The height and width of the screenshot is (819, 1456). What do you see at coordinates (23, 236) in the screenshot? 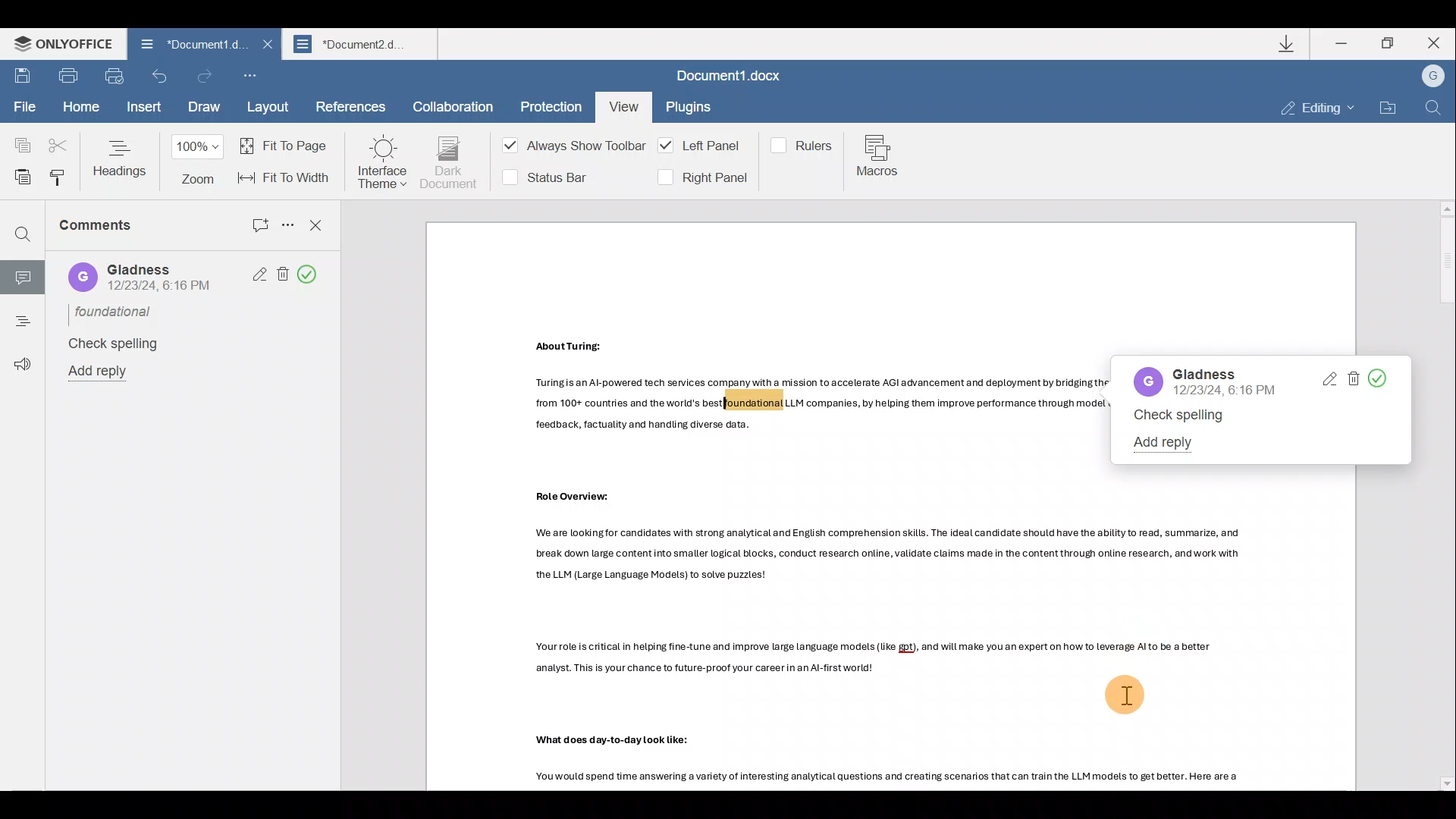
I see `Find` at bounding box center [23, 236].